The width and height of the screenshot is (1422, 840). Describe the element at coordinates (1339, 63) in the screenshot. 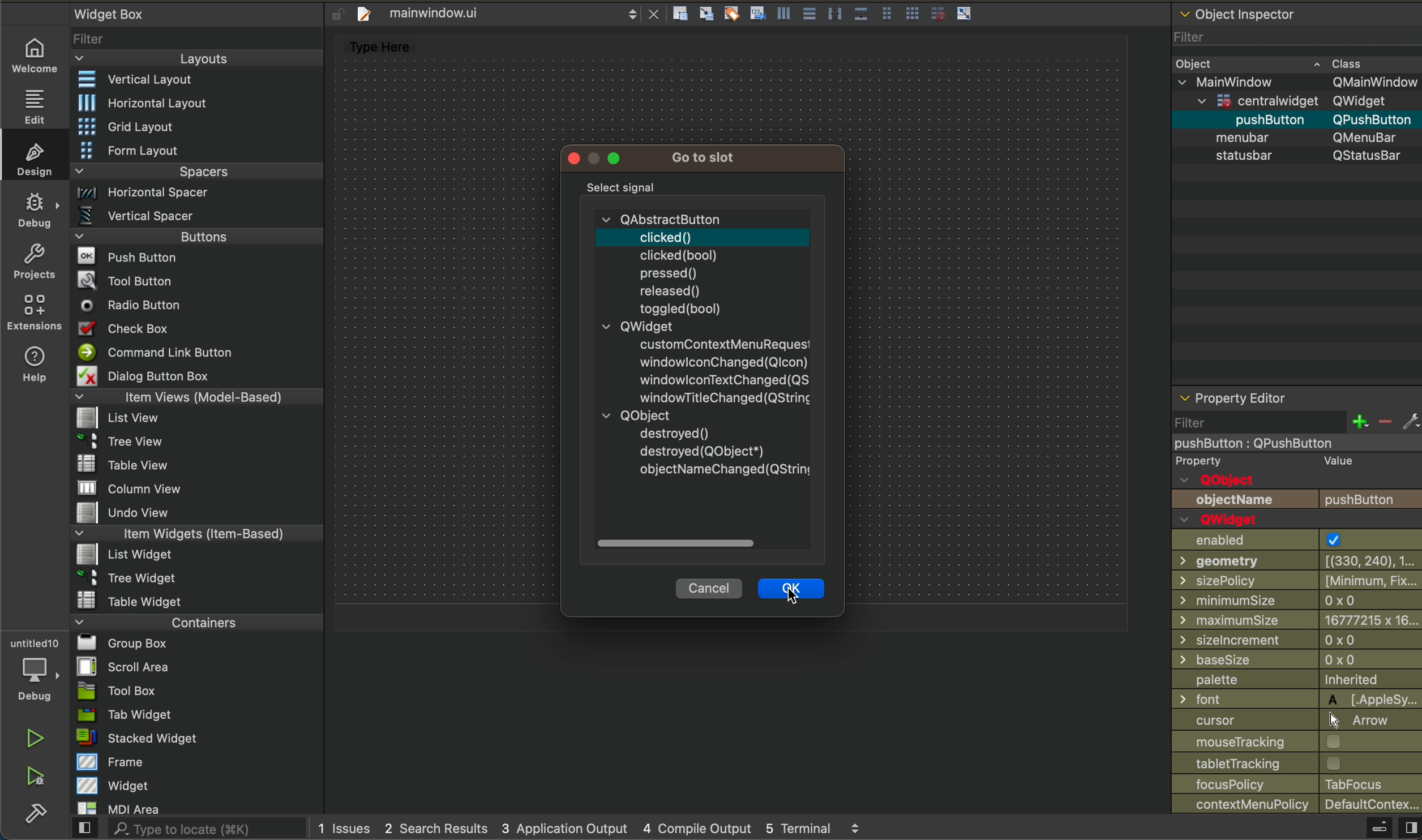

I see `Class` at that location.